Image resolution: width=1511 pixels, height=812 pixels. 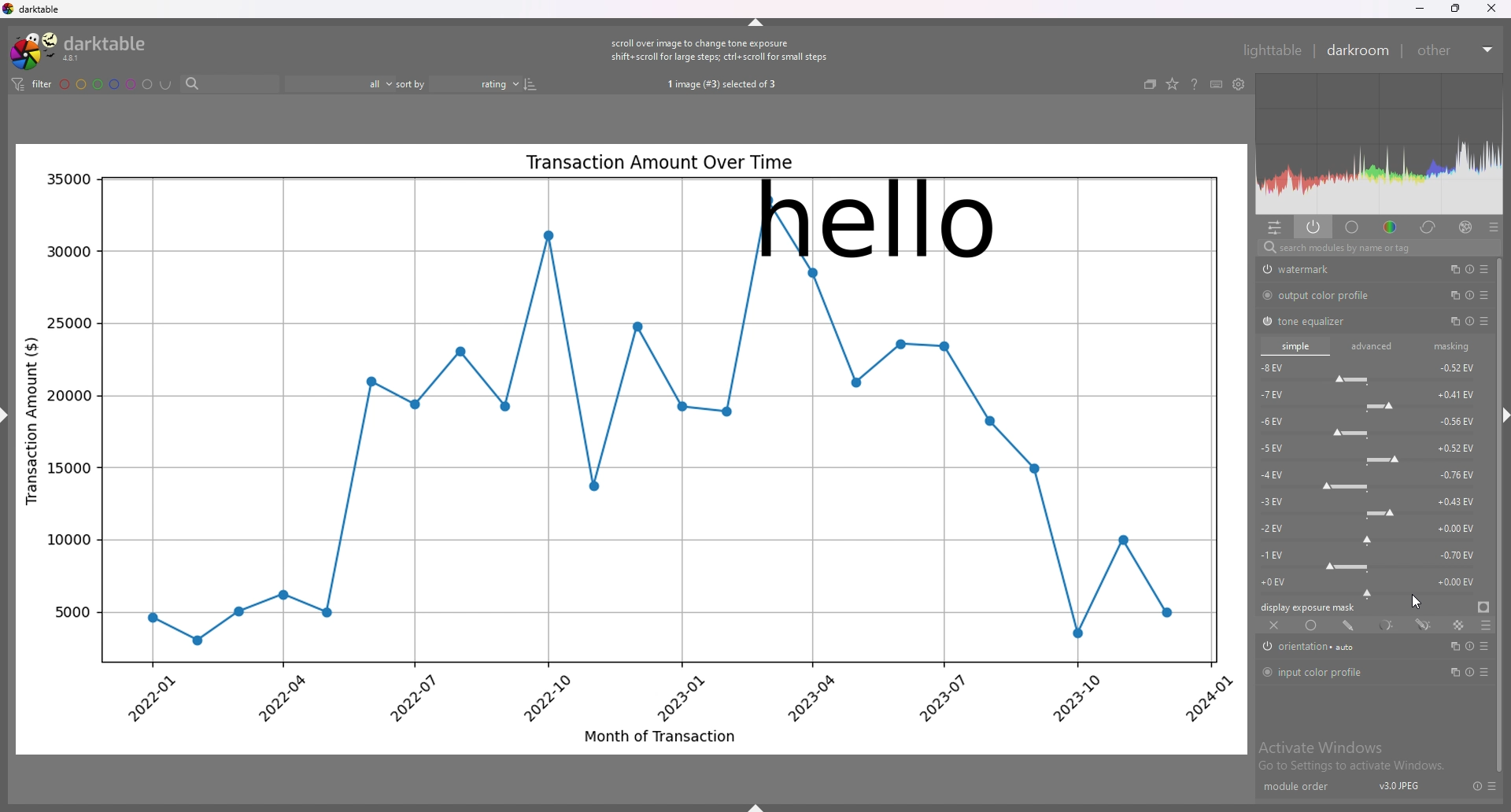 I want to click on uniformly, so click(x=1313, y=625).